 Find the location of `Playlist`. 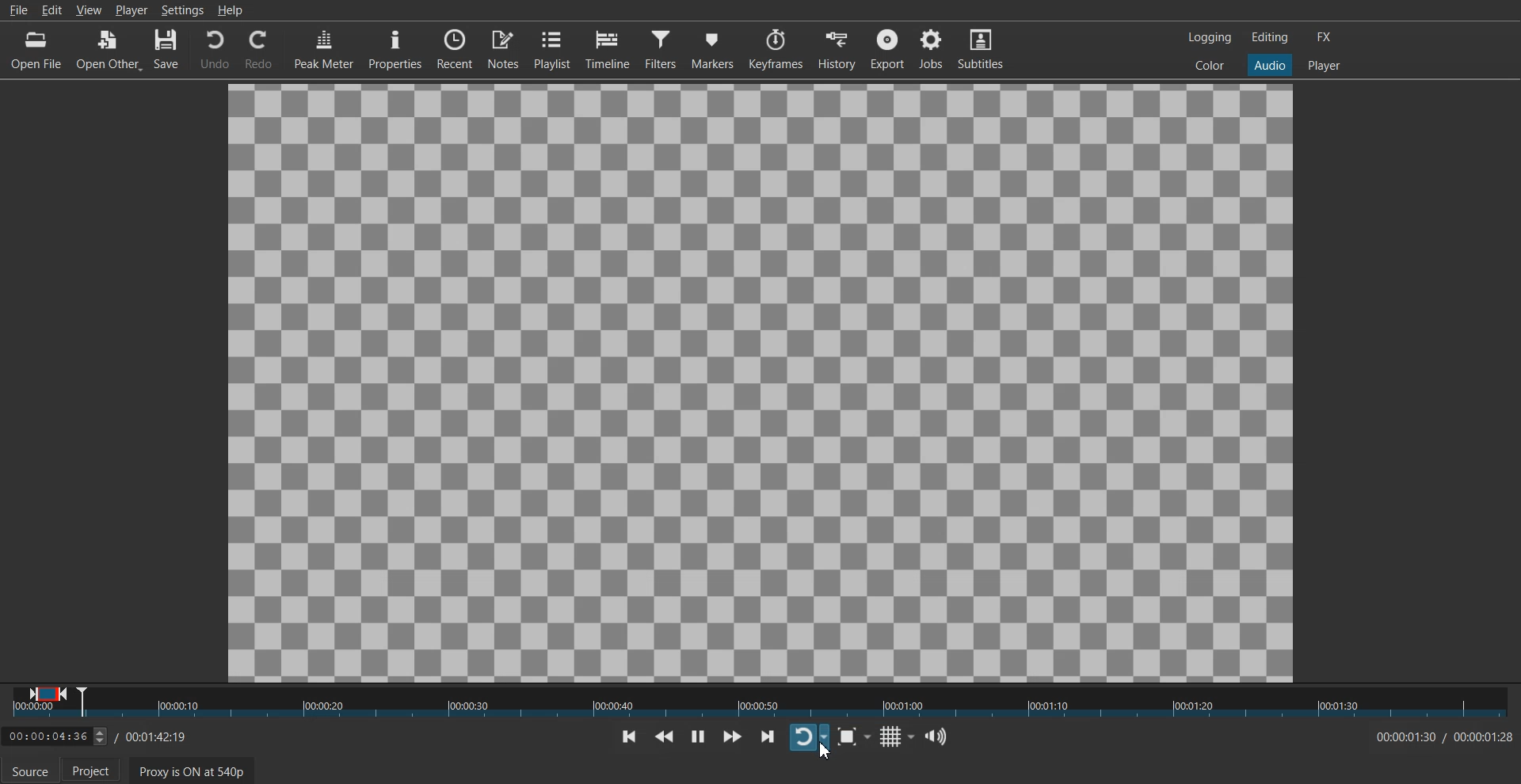

Playlist is located at coordinates (552, 49).